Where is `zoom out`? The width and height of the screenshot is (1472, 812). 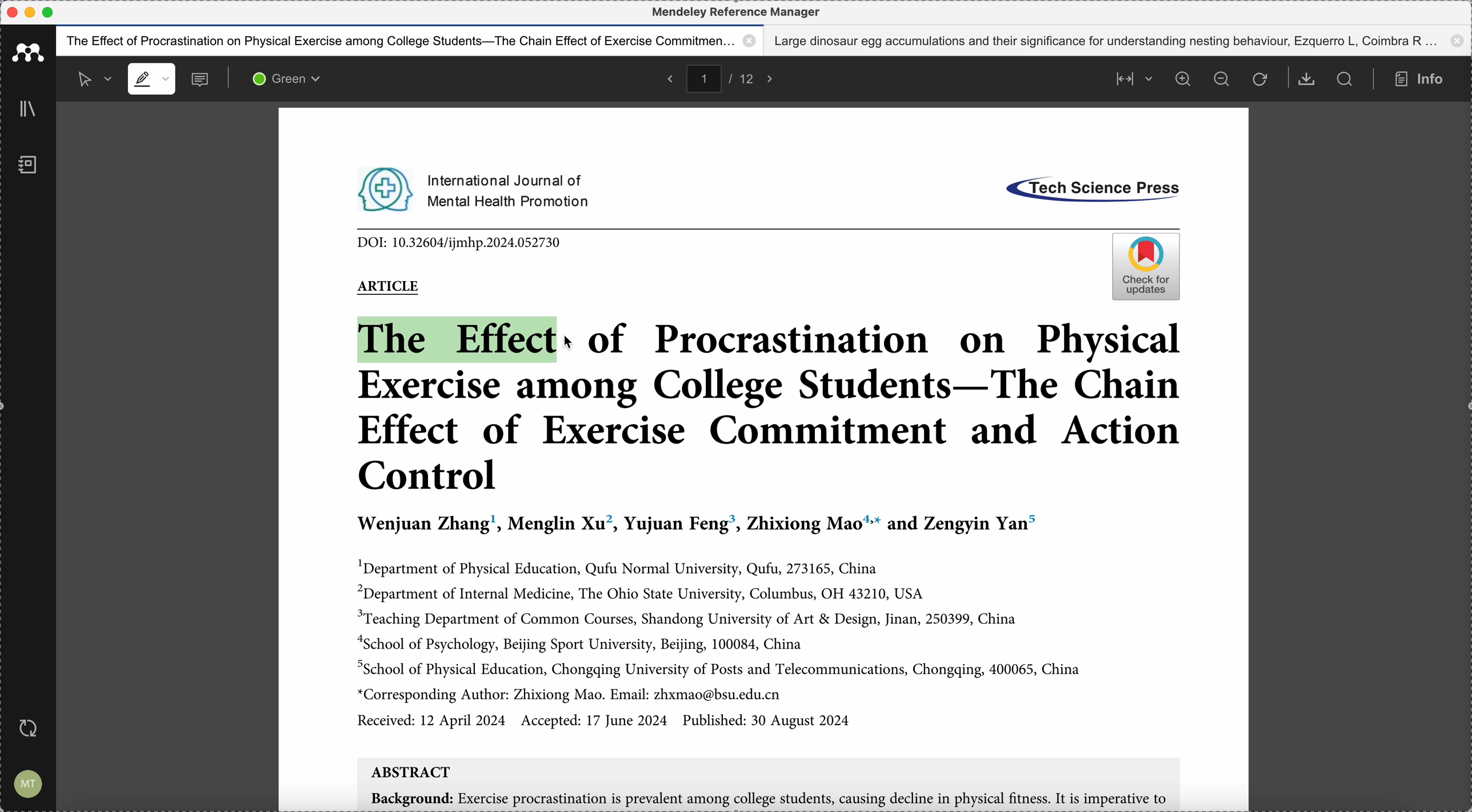
zoom out is located at coordinates (1223, 80).